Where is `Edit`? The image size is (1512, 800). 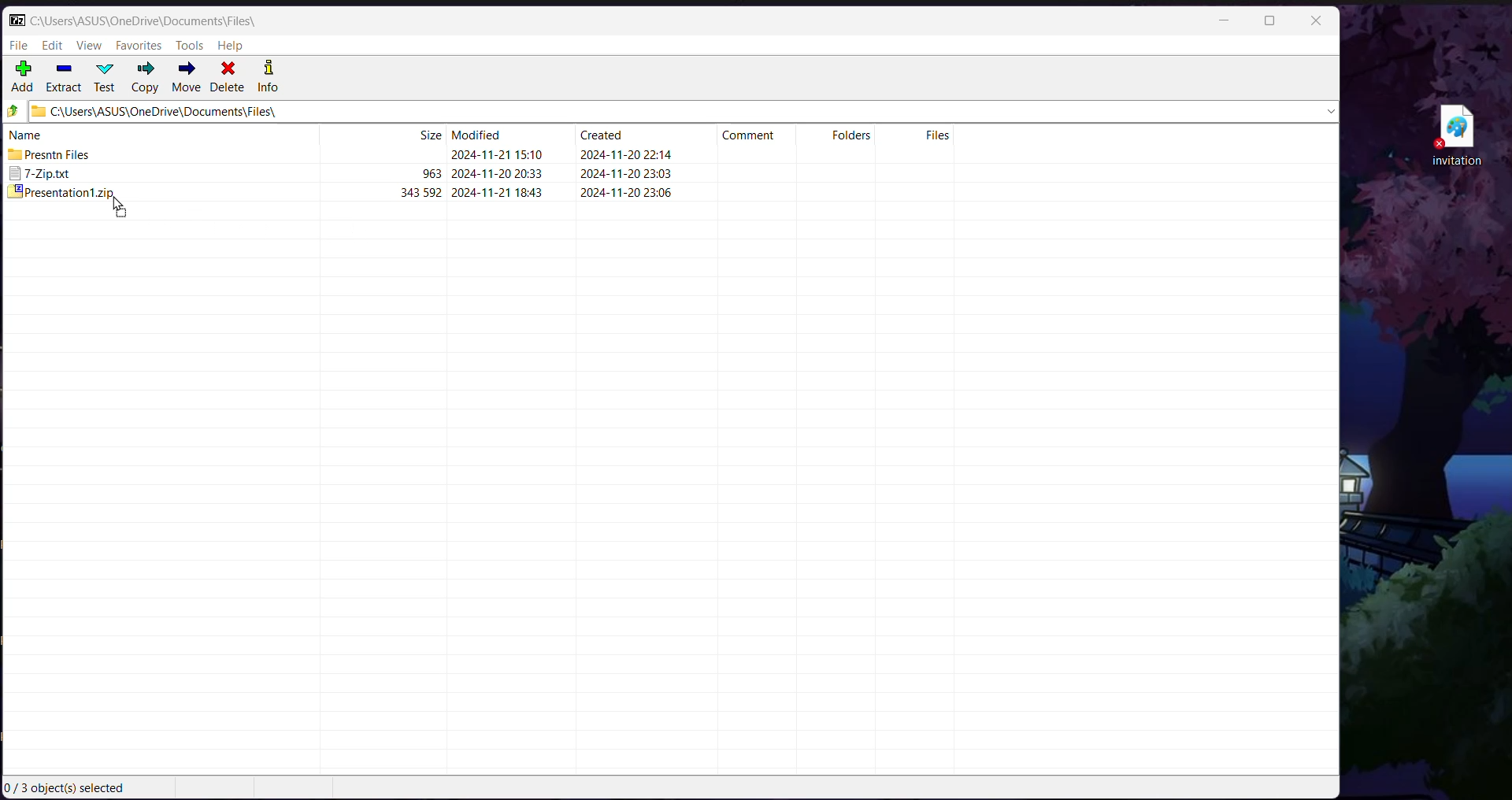
Edit is located at coordinates (54, 45).